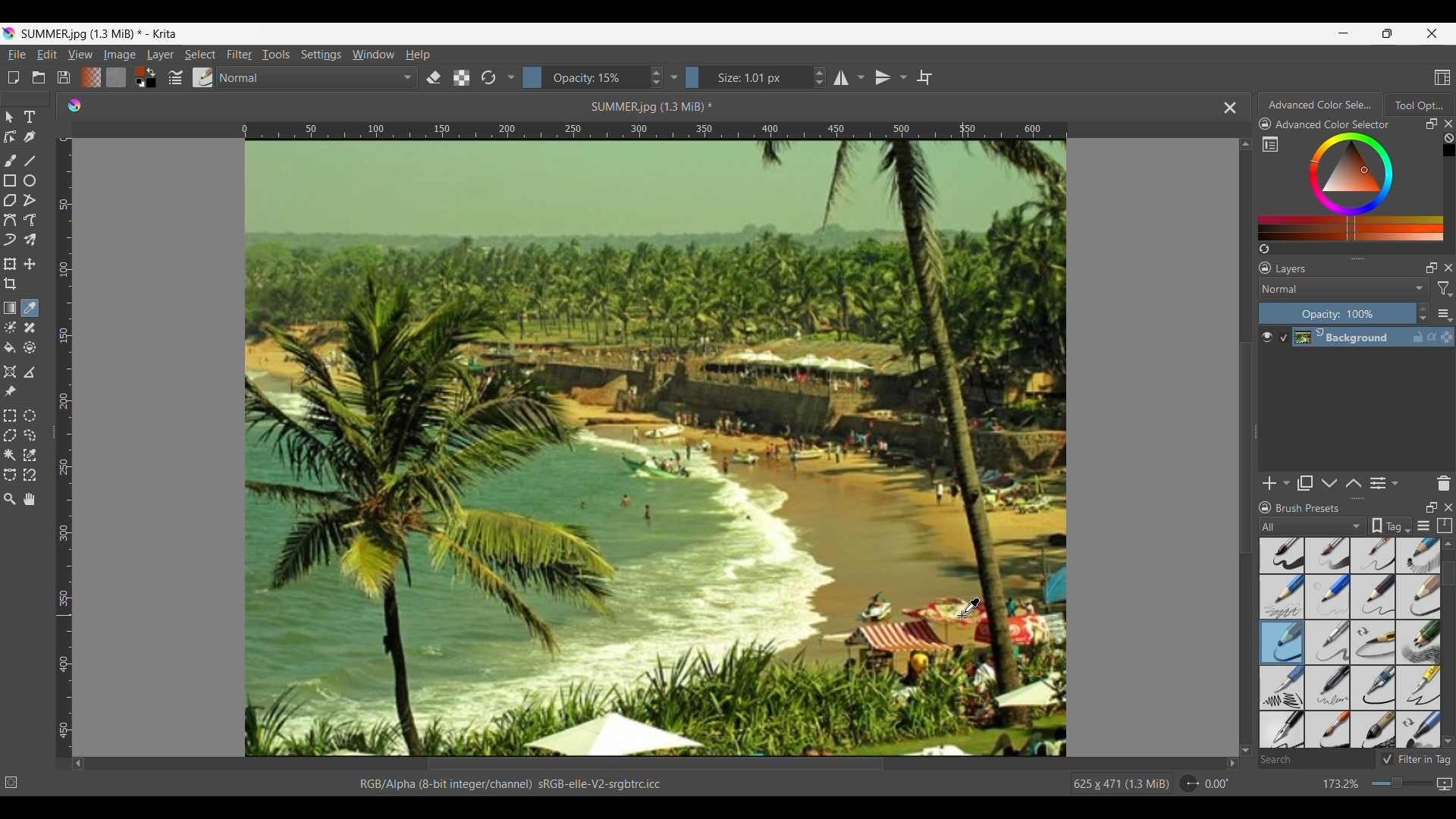  I want to click on Opacity: 100%, so click(1337, 314).